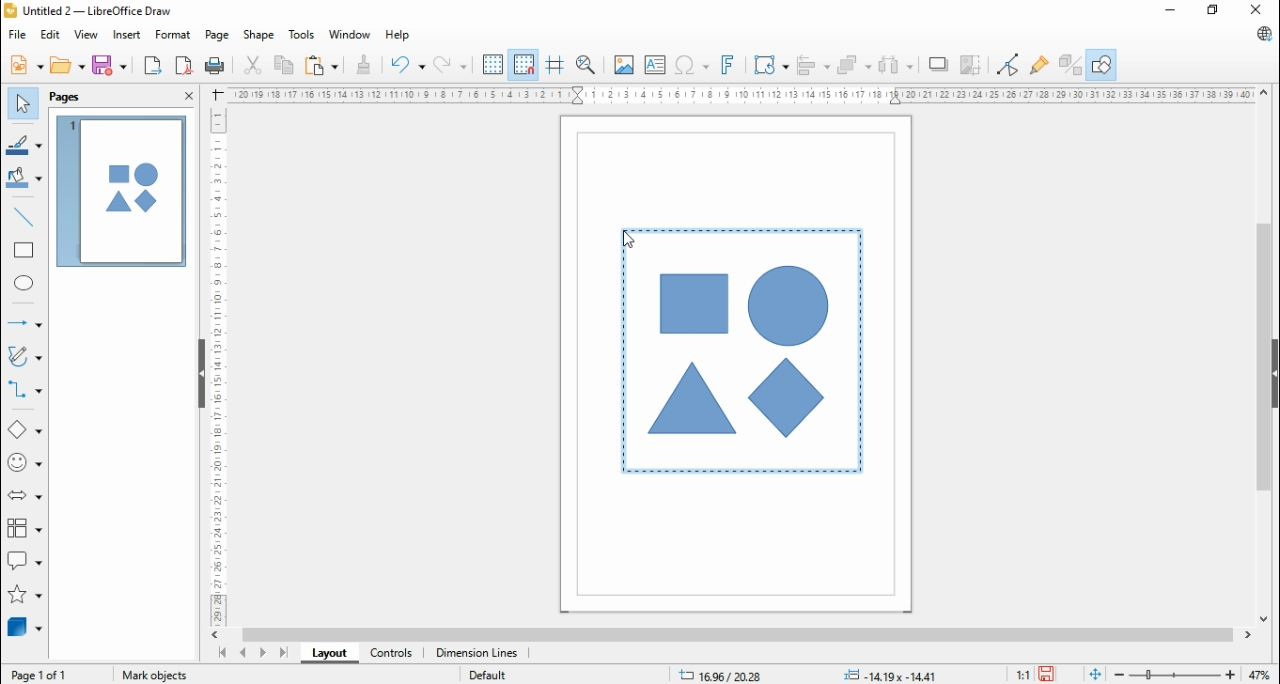 Image resolution: width=1280 pixels, height=684 pixels. Describe the element at coordinates (153, 65) in the screenshot. I see `export` at that location.